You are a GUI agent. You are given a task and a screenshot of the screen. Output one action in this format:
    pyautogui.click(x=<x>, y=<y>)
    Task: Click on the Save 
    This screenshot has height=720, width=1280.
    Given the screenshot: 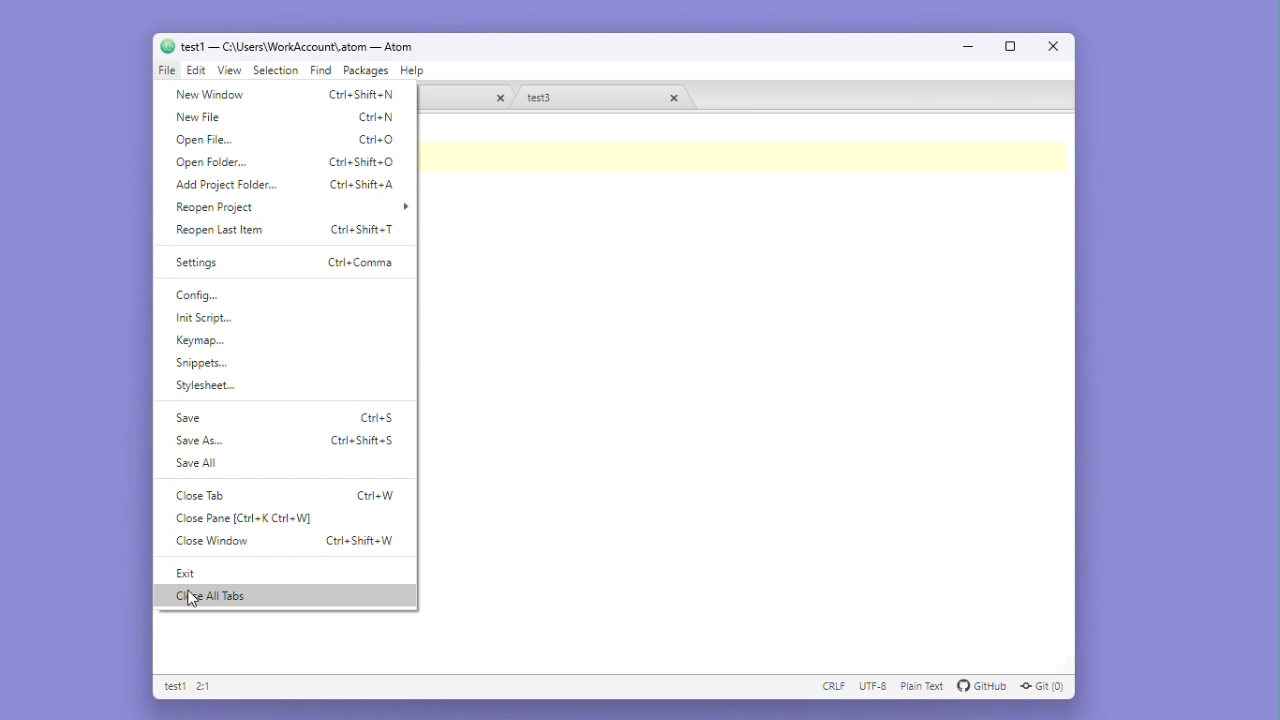 What is the action you would take?
    pyautogui.click(x=193, y=417)
    